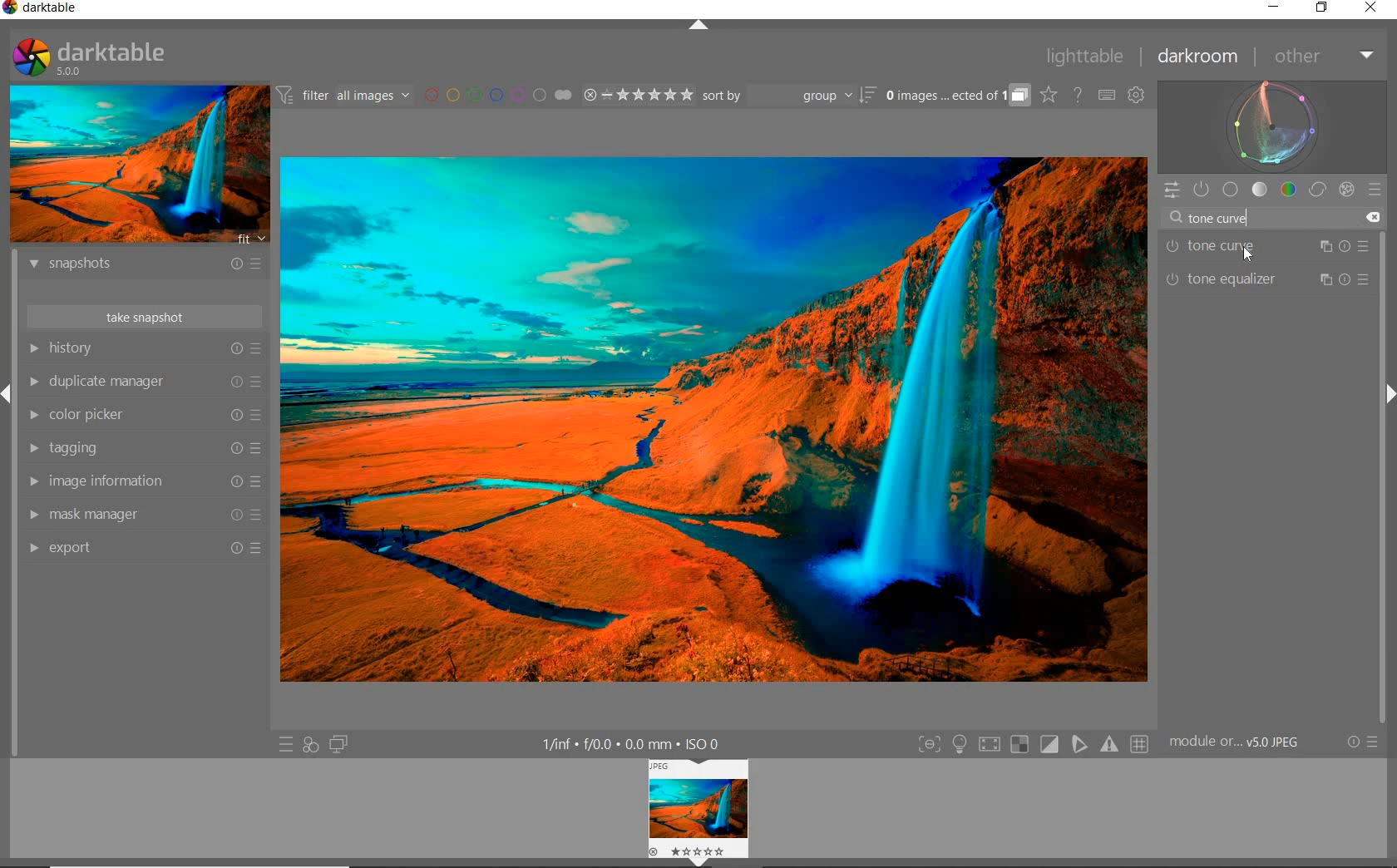 This screenshot has width=1397, height=868. I want to click on image information, so click(143, 481).